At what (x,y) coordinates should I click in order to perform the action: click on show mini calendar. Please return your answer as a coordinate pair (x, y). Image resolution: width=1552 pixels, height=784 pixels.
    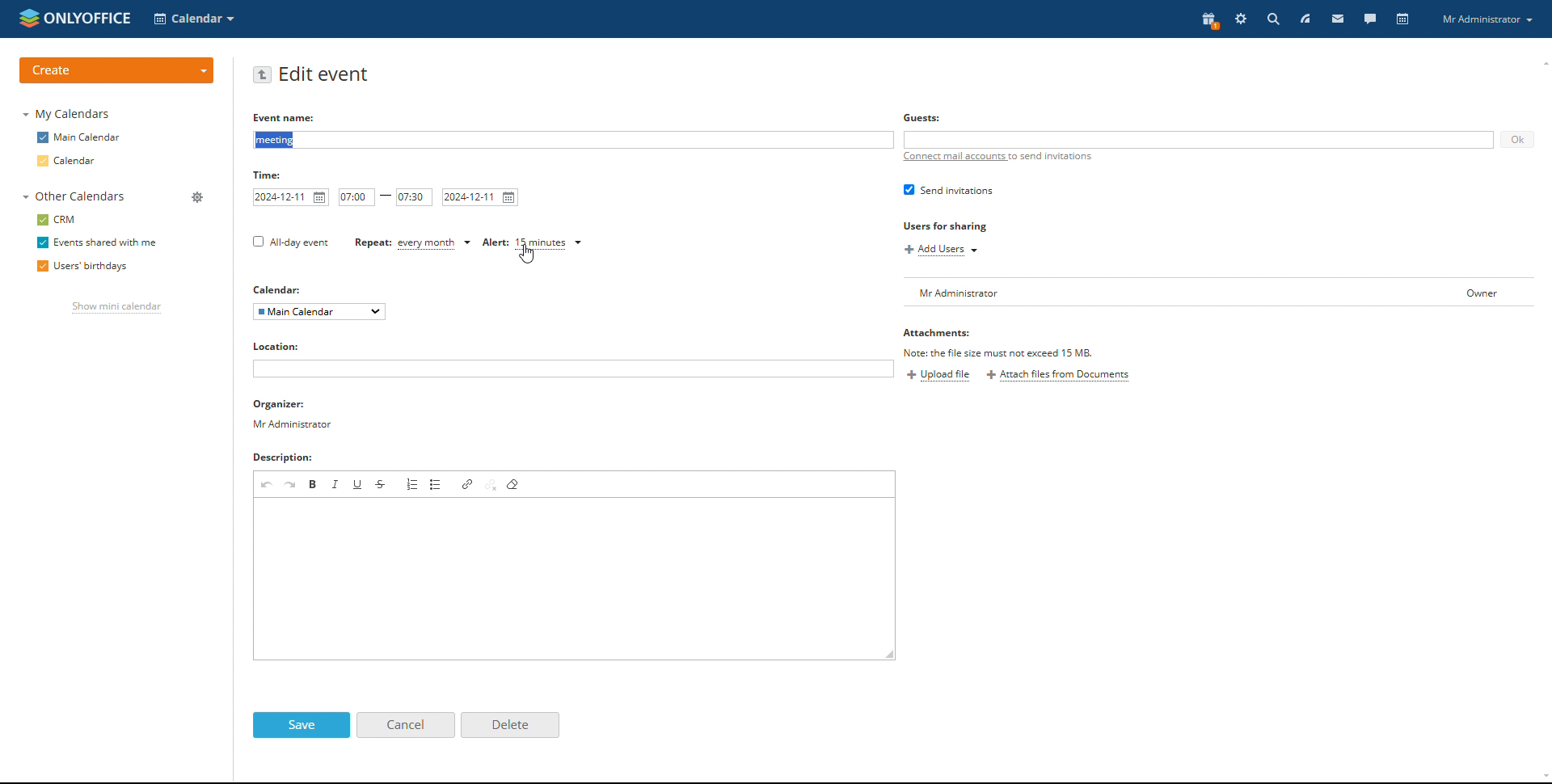
    Looking at the image, I should click on (116, 309).